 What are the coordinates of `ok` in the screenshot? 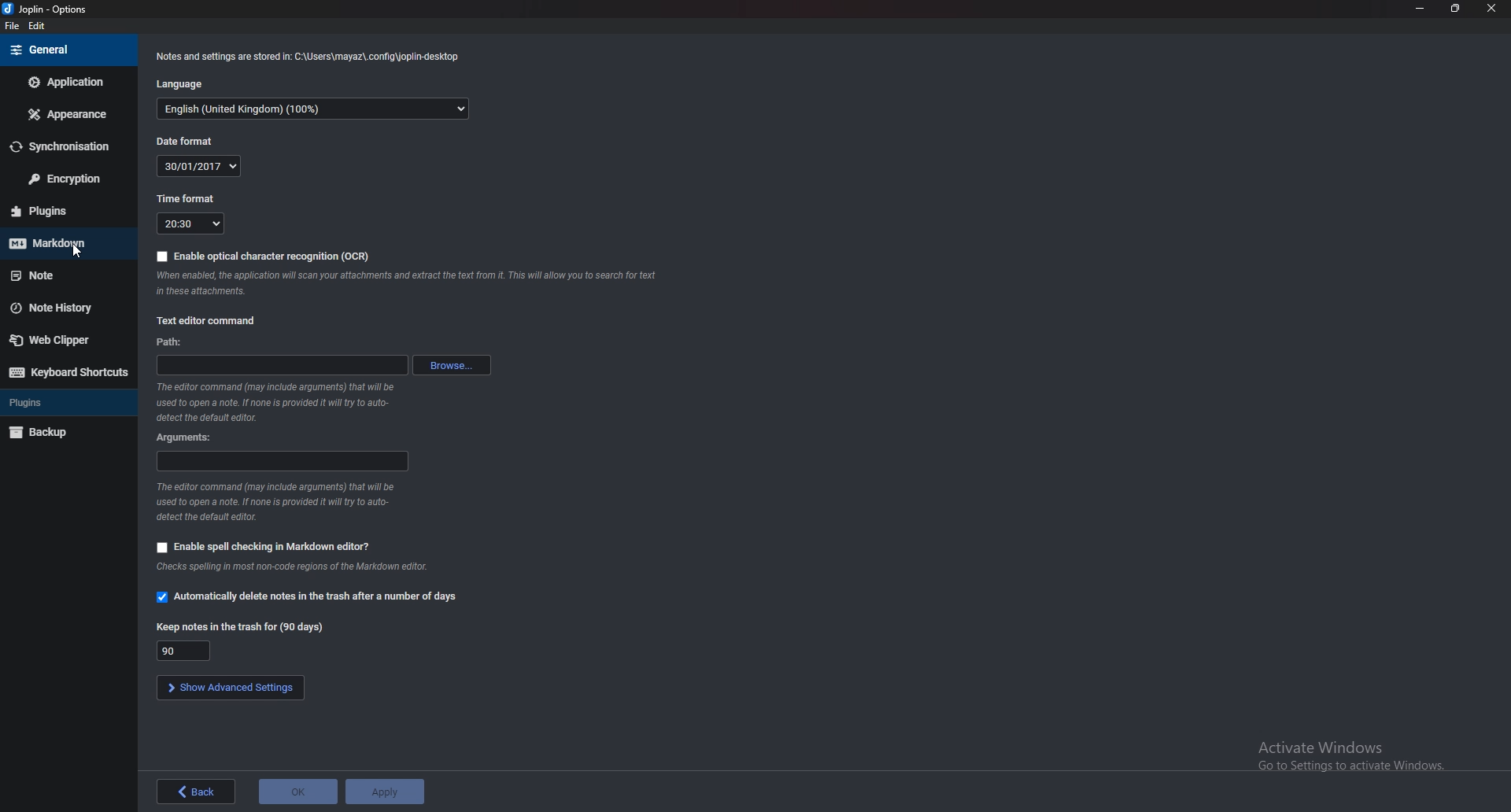 It's located at (297, 790).